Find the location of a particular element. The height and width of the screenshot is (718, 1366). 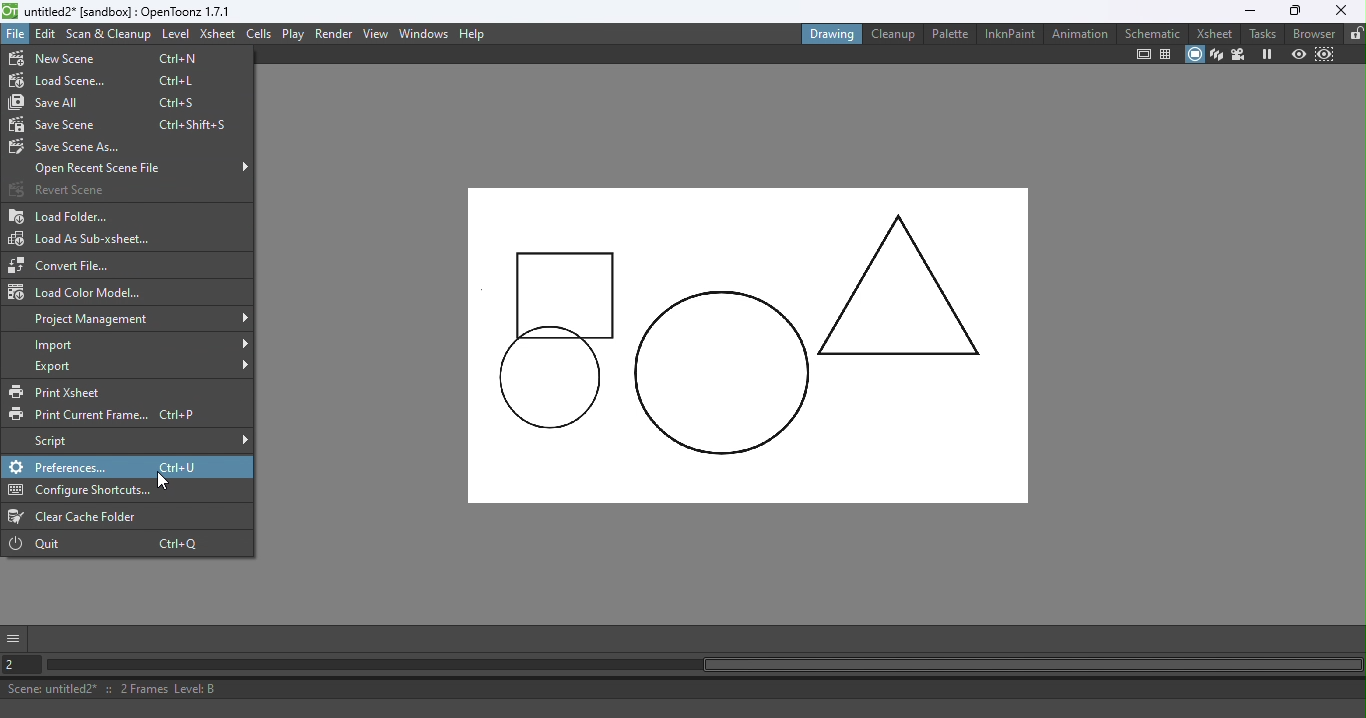

Help is located at coordinates (473, 34).